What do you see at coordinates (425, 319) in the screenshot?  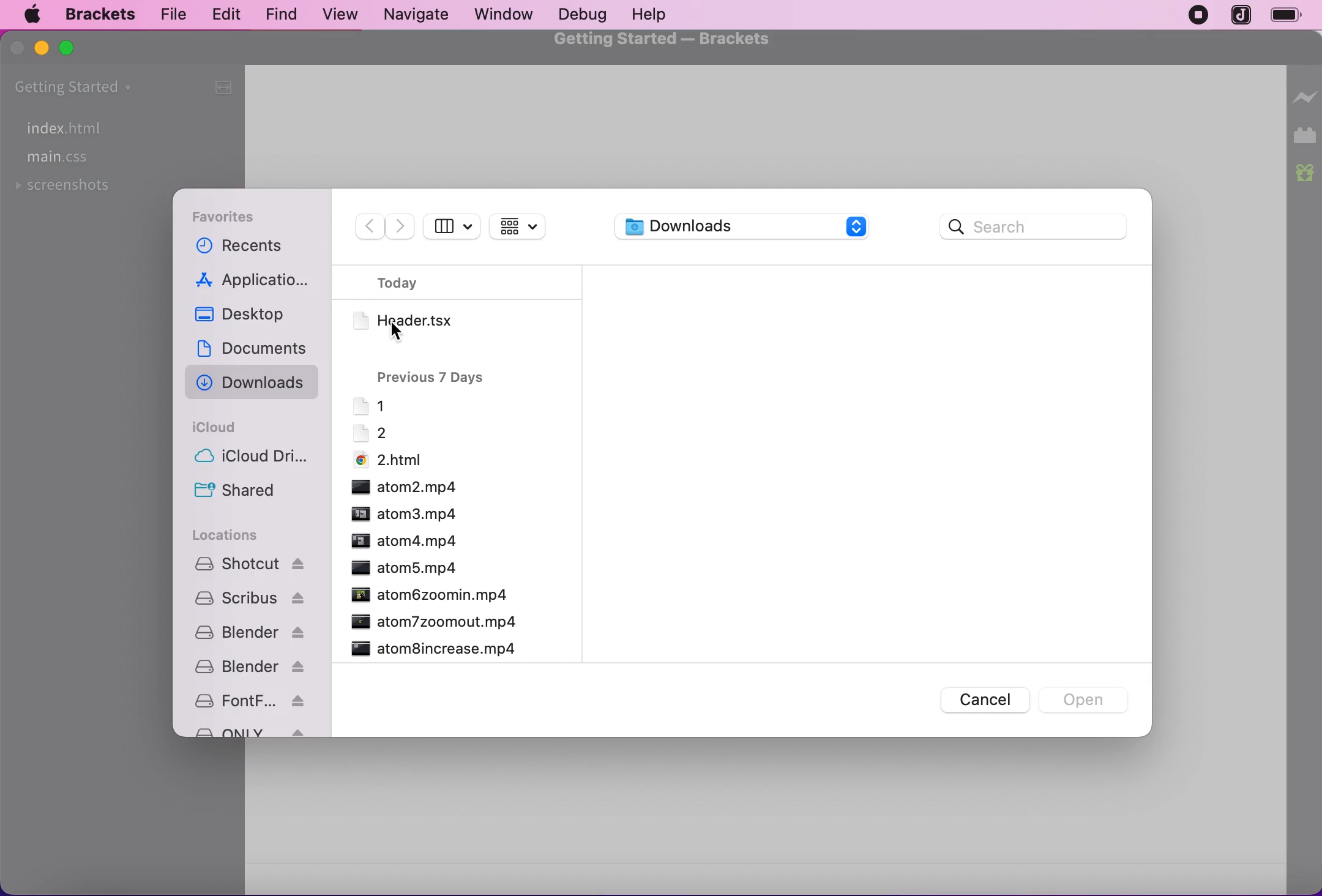 I see `header.tsx` at bounding box center [425, 319].